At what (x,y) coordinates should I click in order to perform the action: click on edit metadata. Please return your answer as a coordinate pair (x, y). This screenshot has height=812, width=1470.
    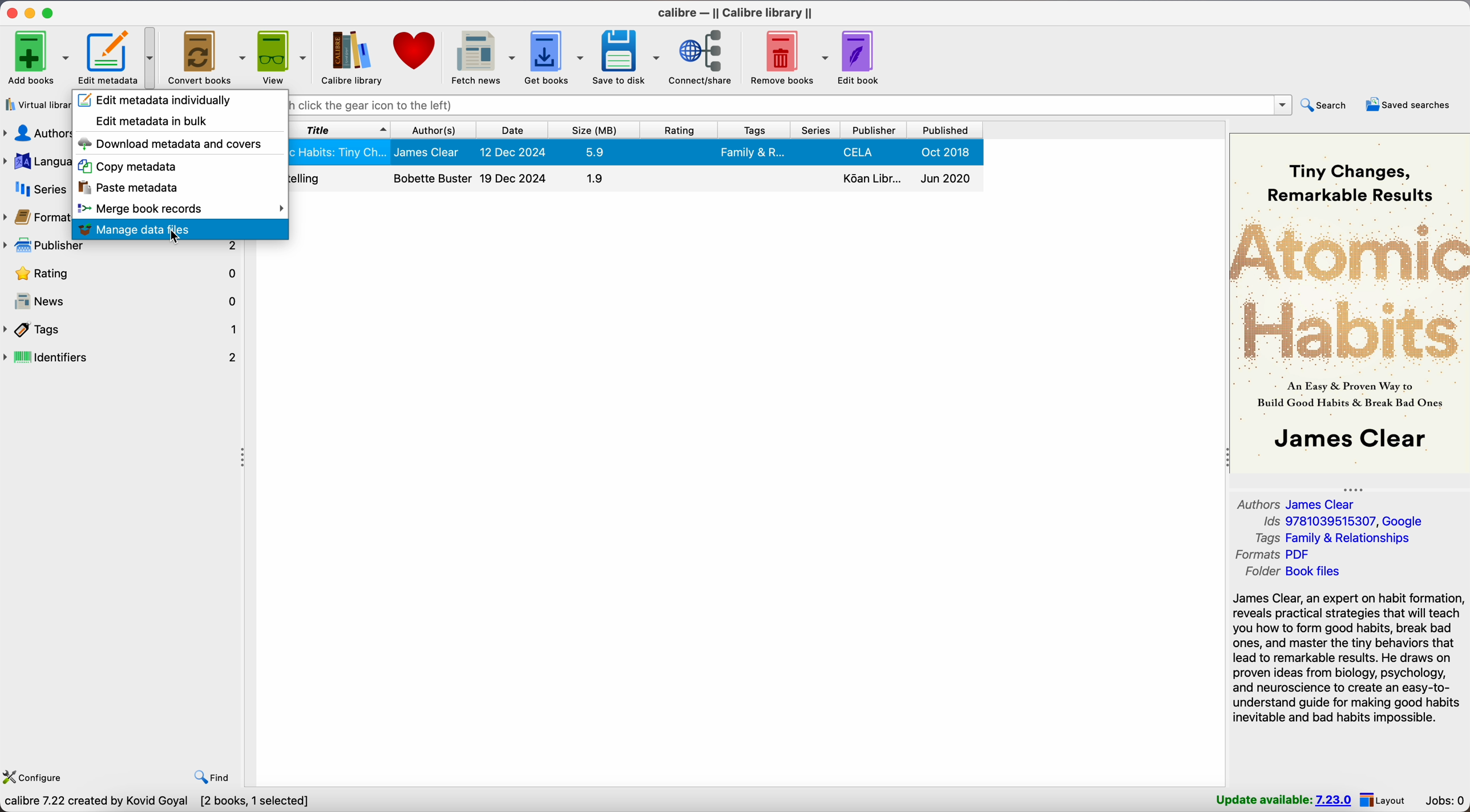
    Looking at the image, I should click on (119, 58).